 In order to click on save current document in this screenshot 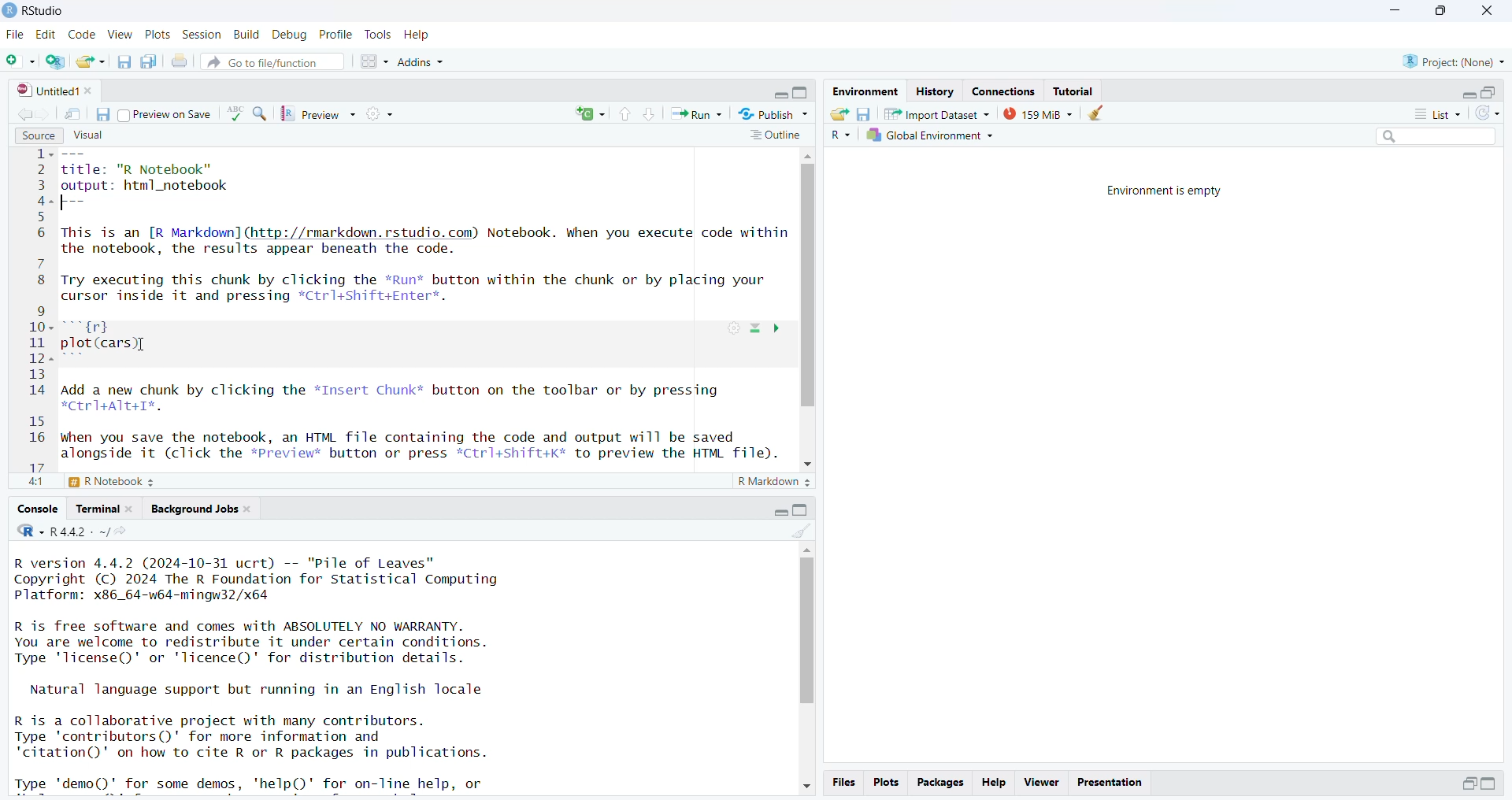, I will do `click(103, 113)`.